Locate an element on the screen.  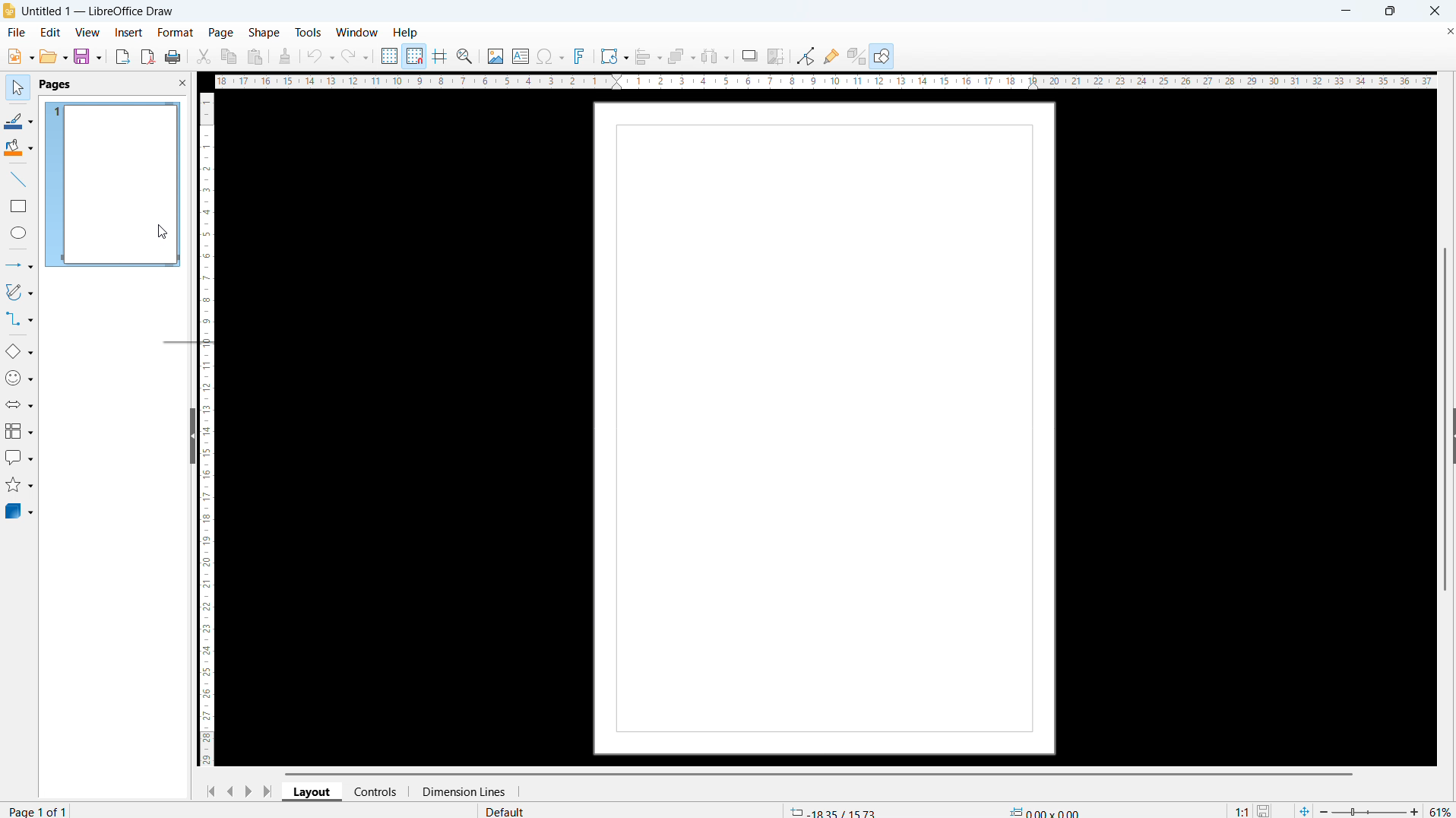
expand pane is located at coordinates (1453, 436).